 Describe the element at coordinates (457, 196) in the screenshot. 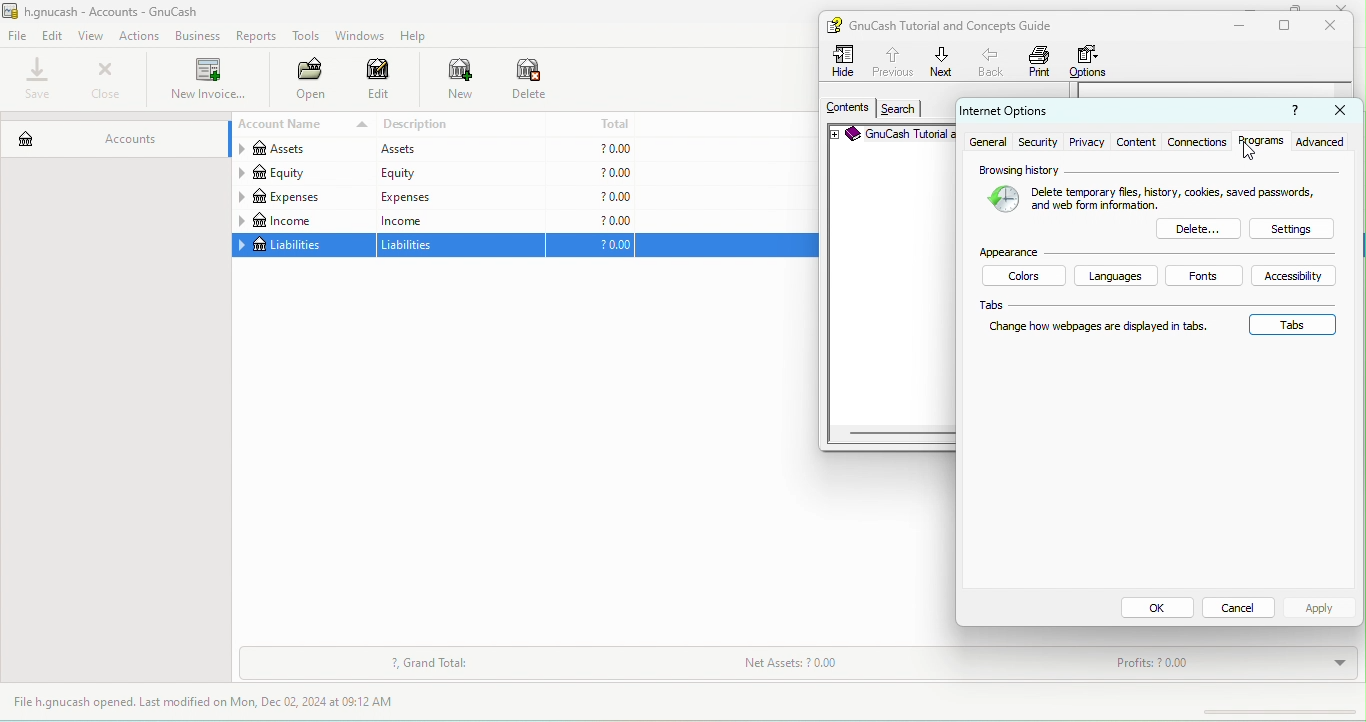

I see `expeness` at that location.